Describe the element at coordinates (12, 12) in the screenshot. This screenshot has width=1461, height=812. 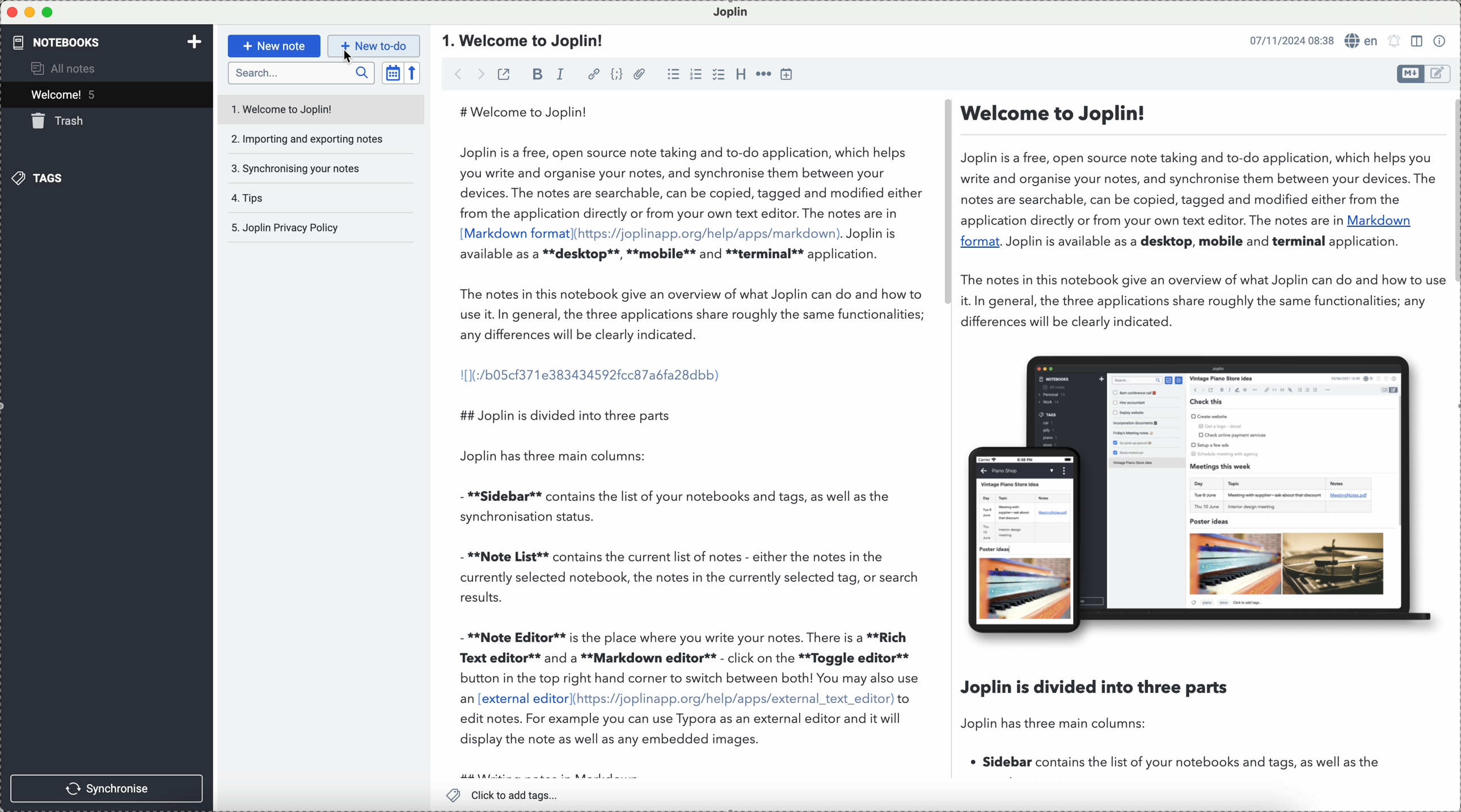
I see `close` at that location.